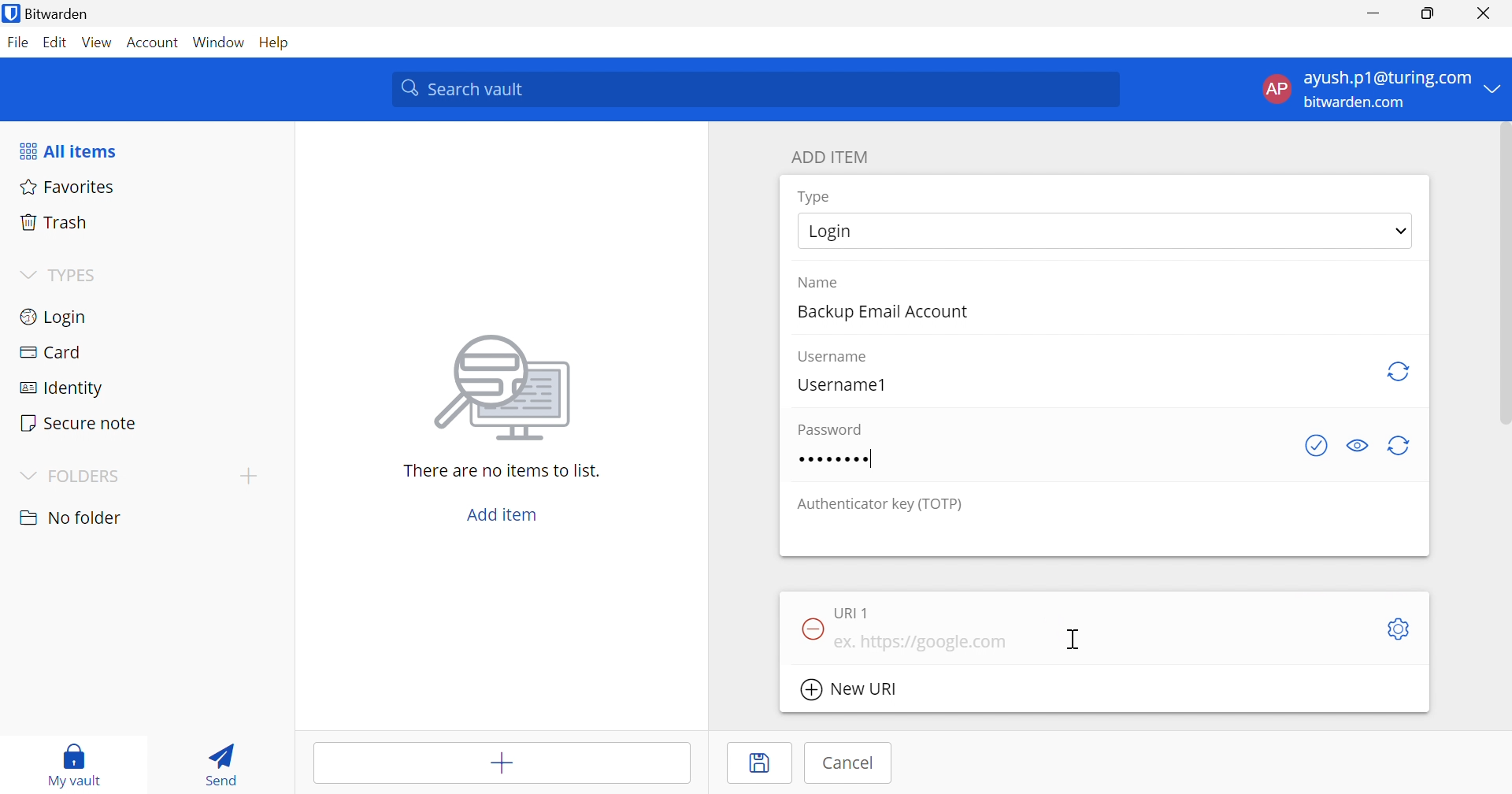 The image size is (1512, 794). I want to click on Send, so click(225, 763).